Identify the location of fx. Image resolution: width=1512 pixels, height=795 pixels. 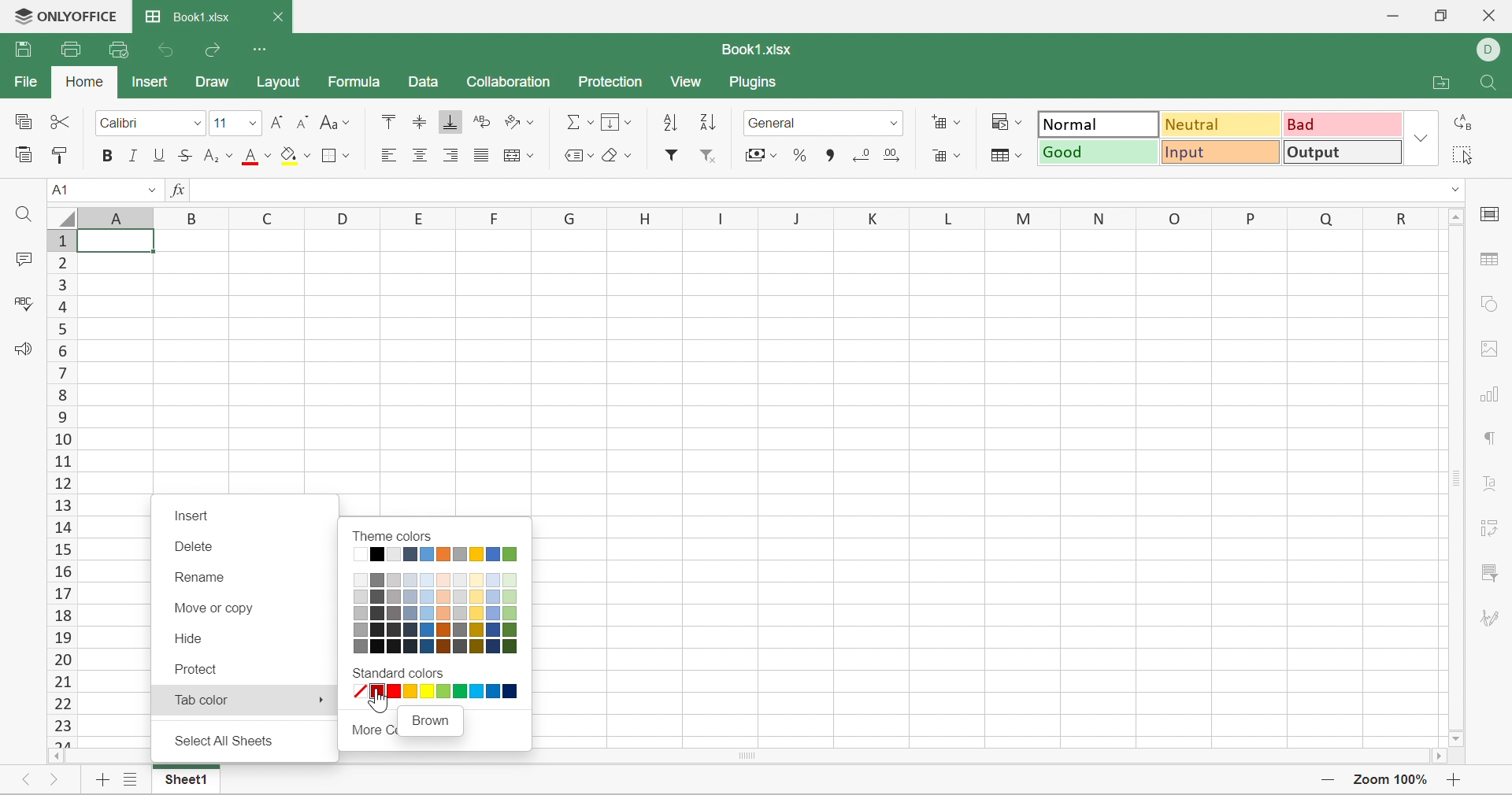
(174, 190).